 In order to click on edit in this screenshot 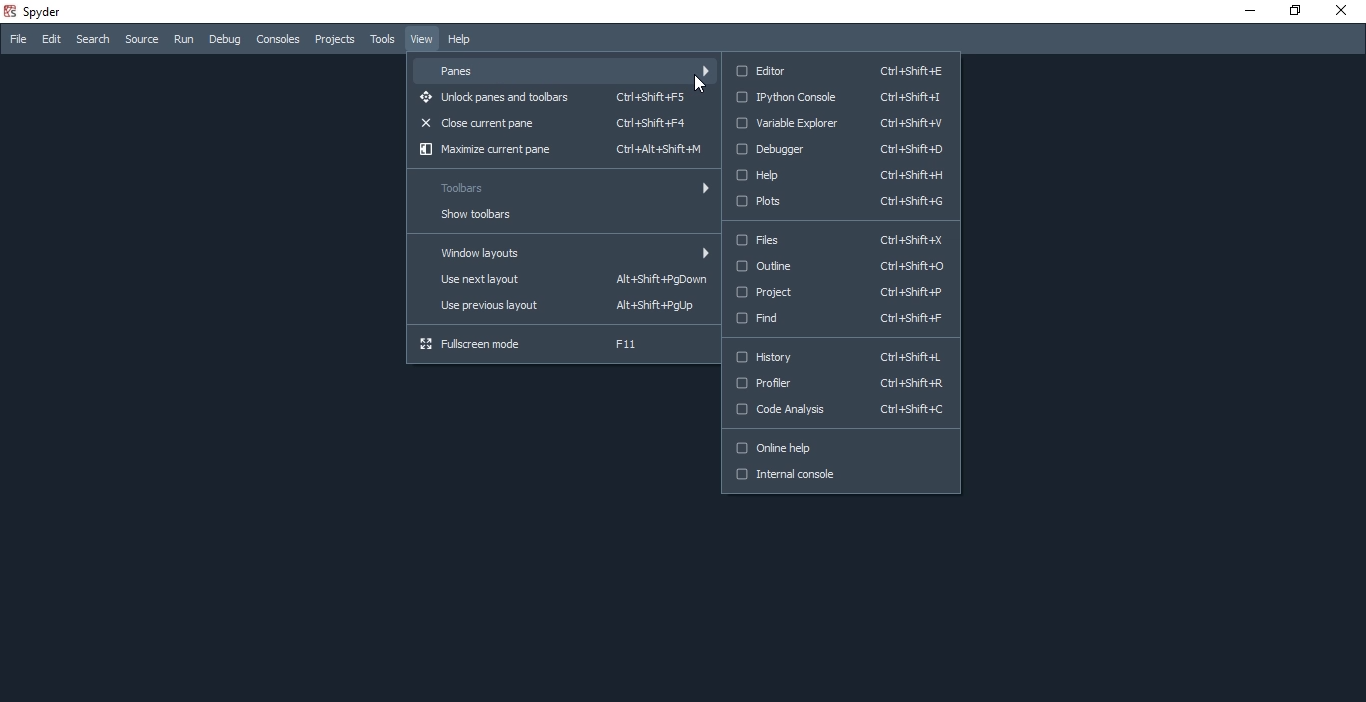, I will do `click(51, 39)`.